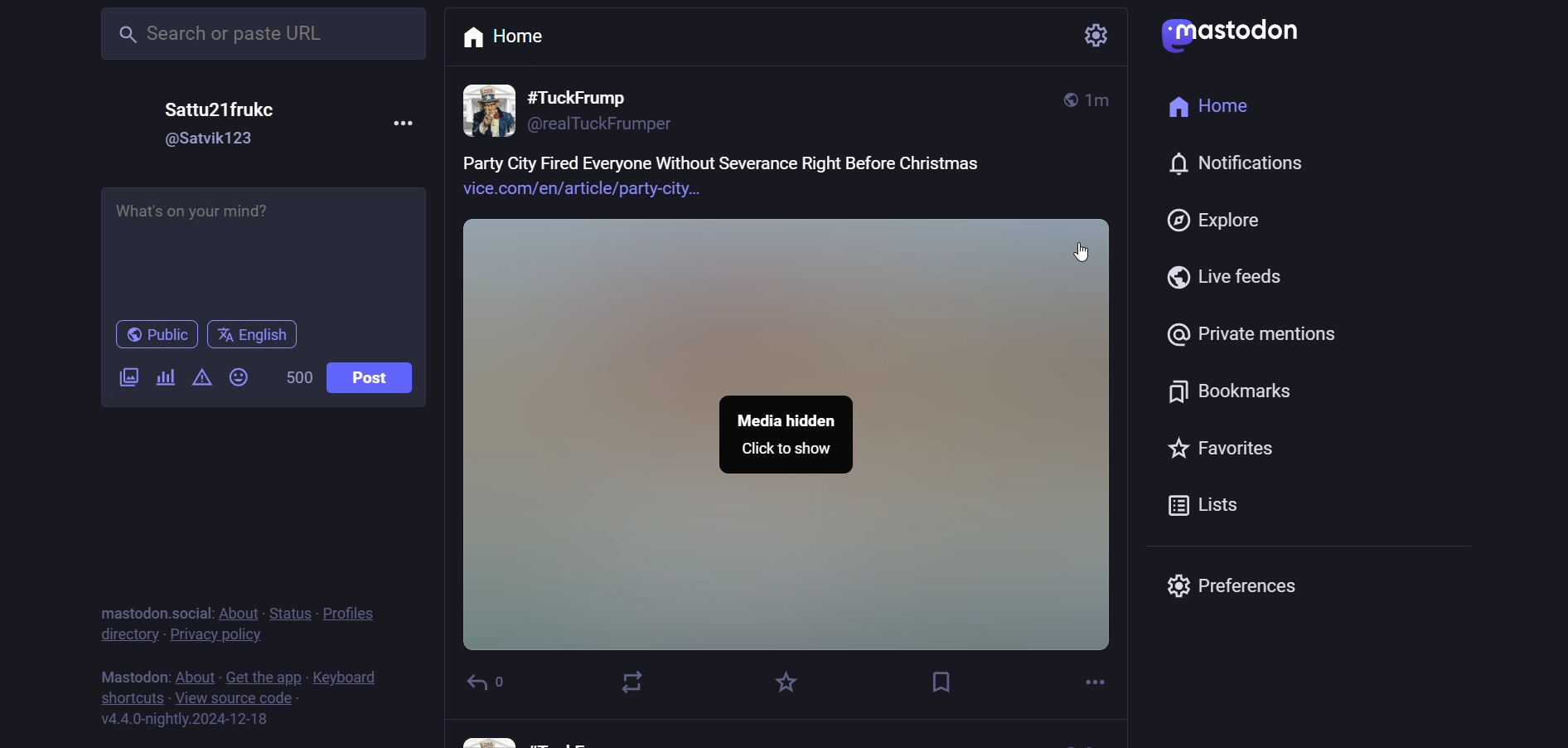 The image size is (1568, 748). I want to click on Home, so click(514, 40).